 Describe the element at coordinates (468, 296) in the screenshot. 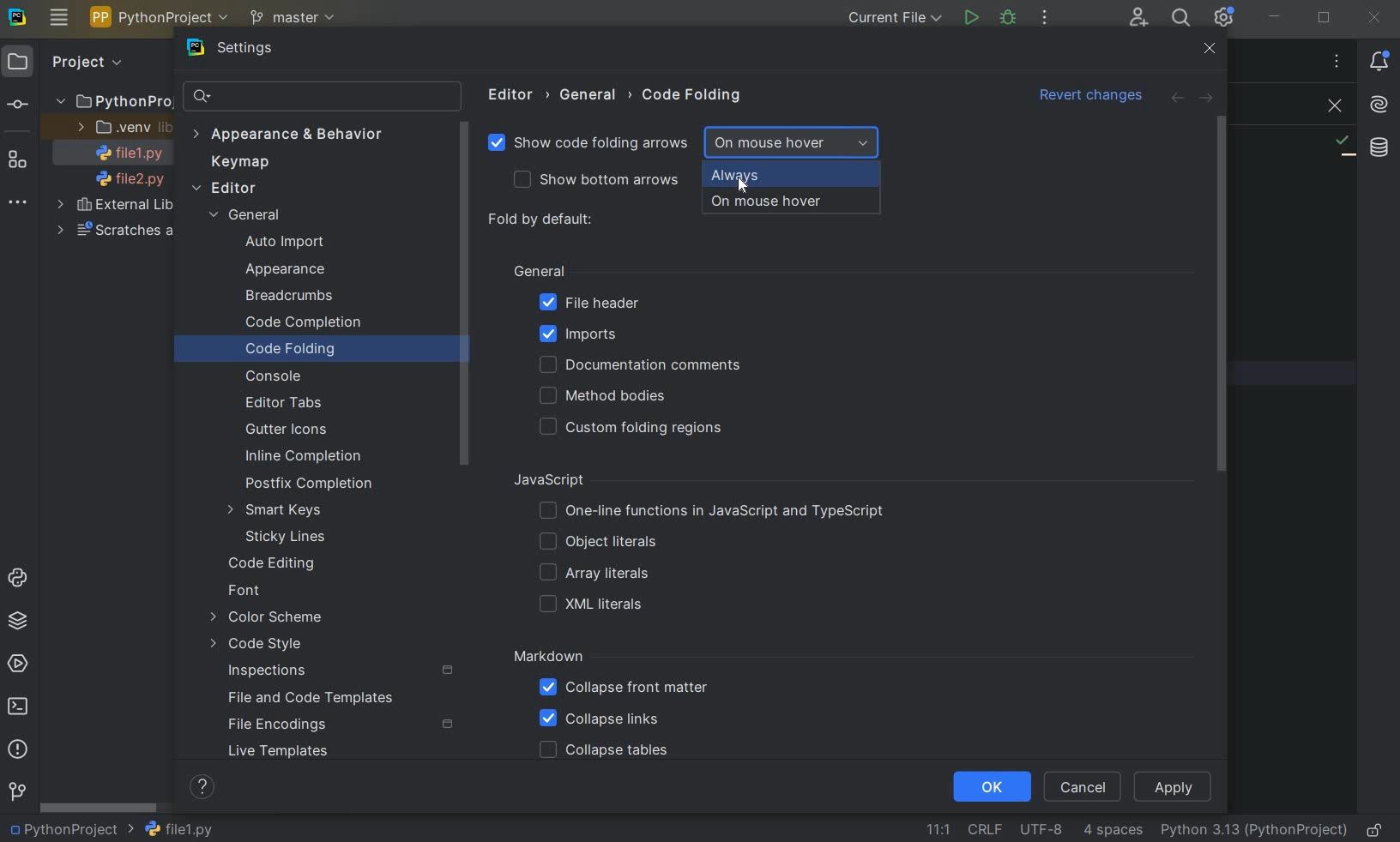

I see `SROLLBAR` at that location.